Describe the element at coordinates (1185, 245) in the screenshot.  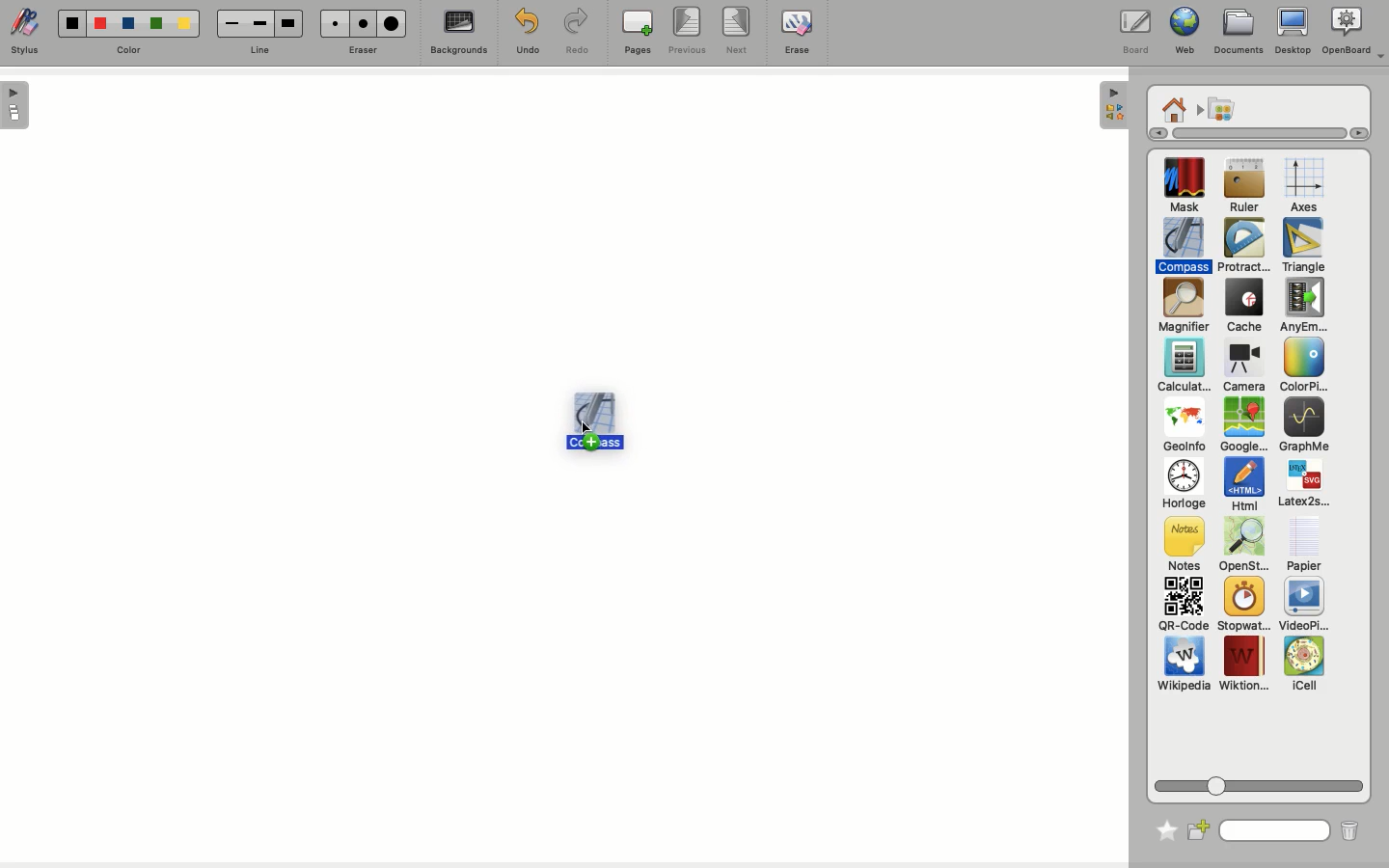
I see `Compass` at that location.